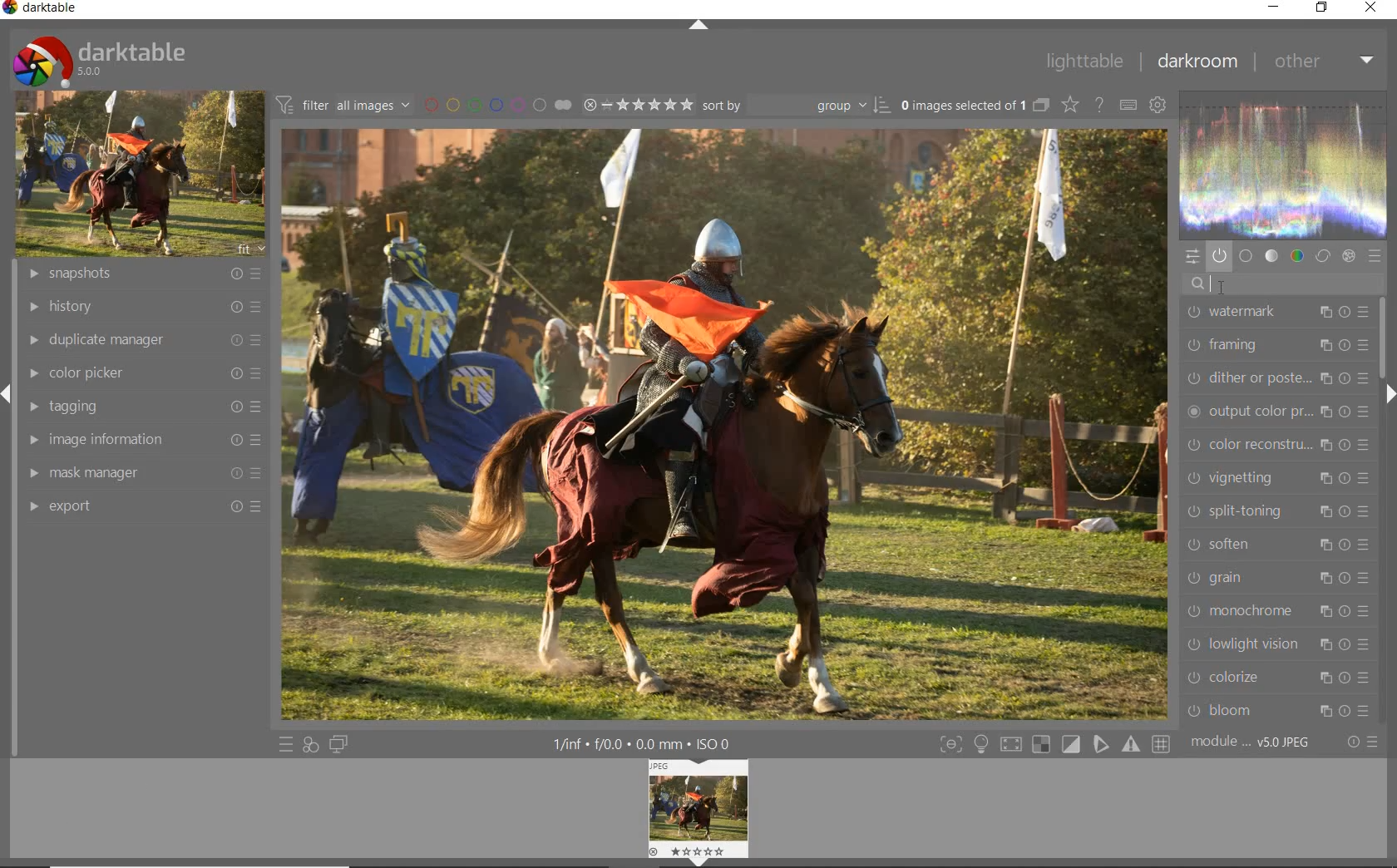 This screenshot has width=1397, height=868. Describe the element at coordinates (1284, 163) in the screenshot. I see `waveform` at that location.